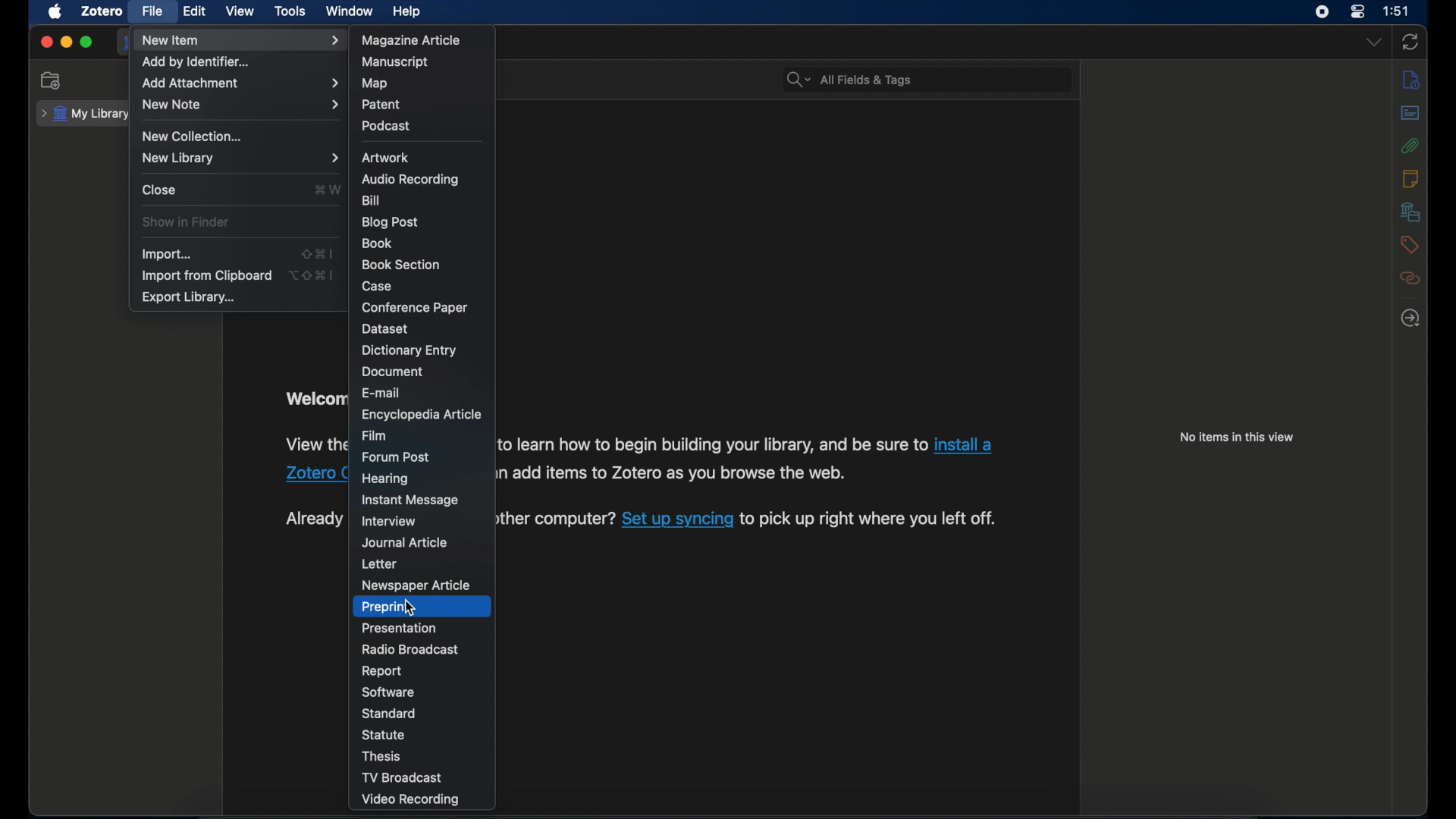 The height and width of the screenshot is (819, 1456). Describe the element at coordinates (388, 692) in the screenshot. I see `software` at that location.